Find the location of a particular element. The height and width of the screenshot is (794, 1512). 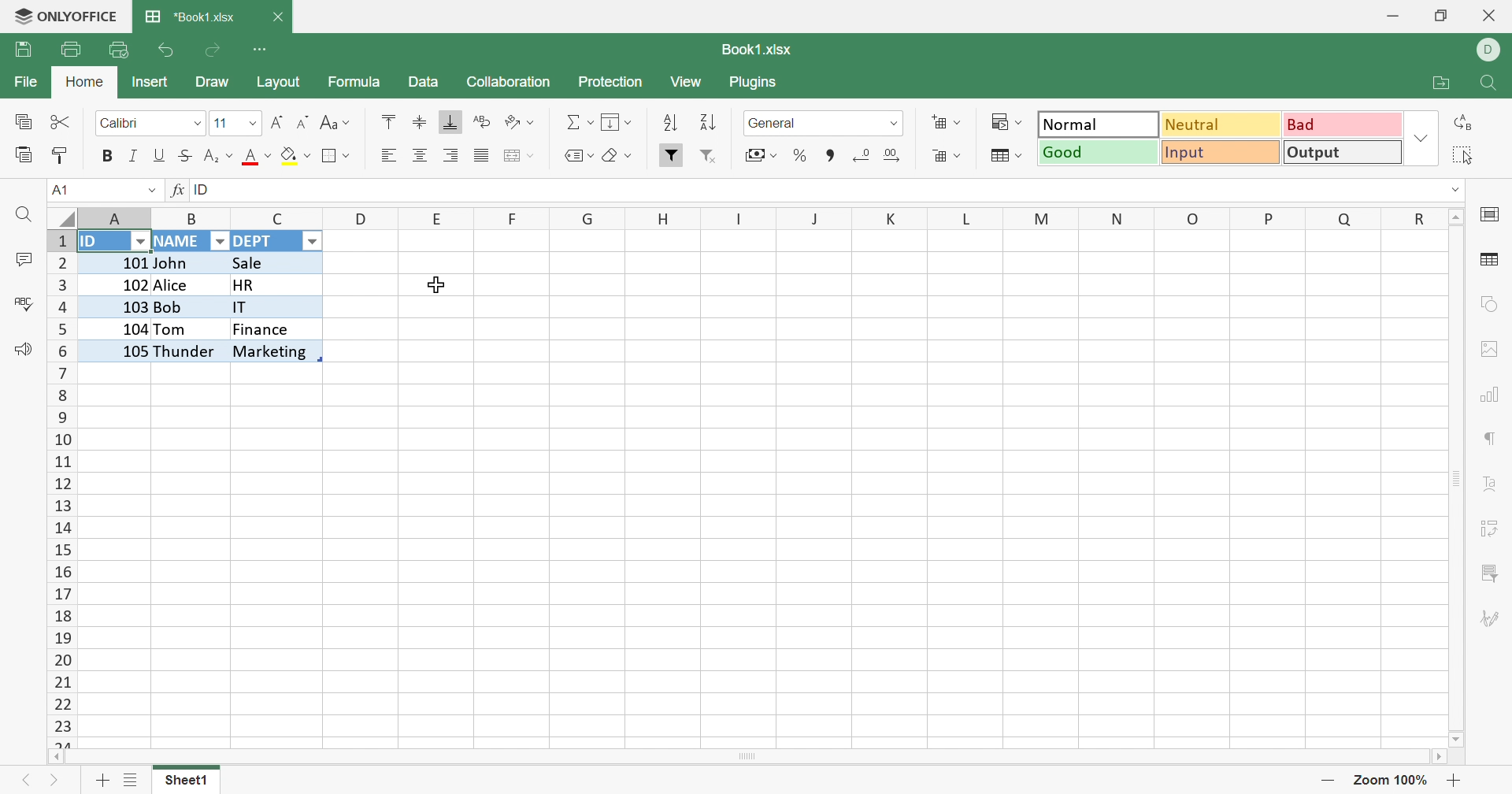

Sheet1 is located at coordinates (187, 781).